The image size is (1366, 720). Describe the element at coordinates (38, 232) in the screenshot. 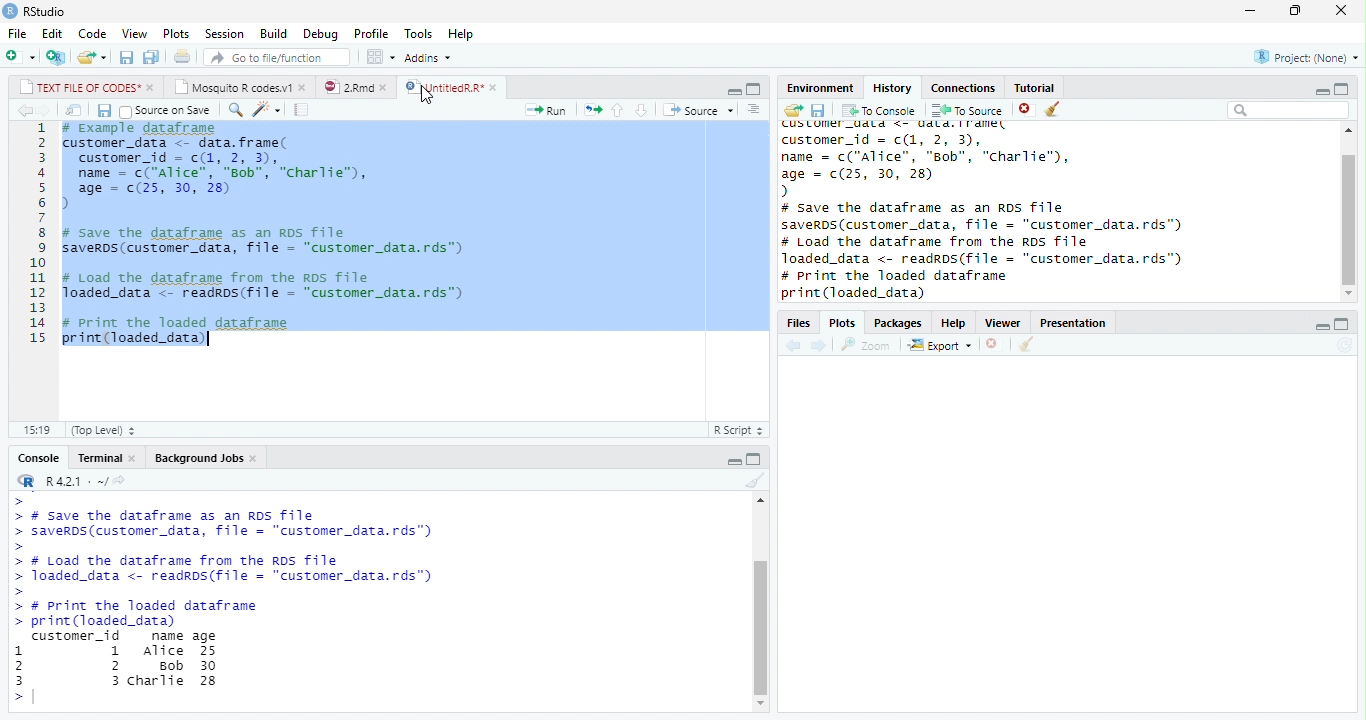

I see `line numbering` at that location.